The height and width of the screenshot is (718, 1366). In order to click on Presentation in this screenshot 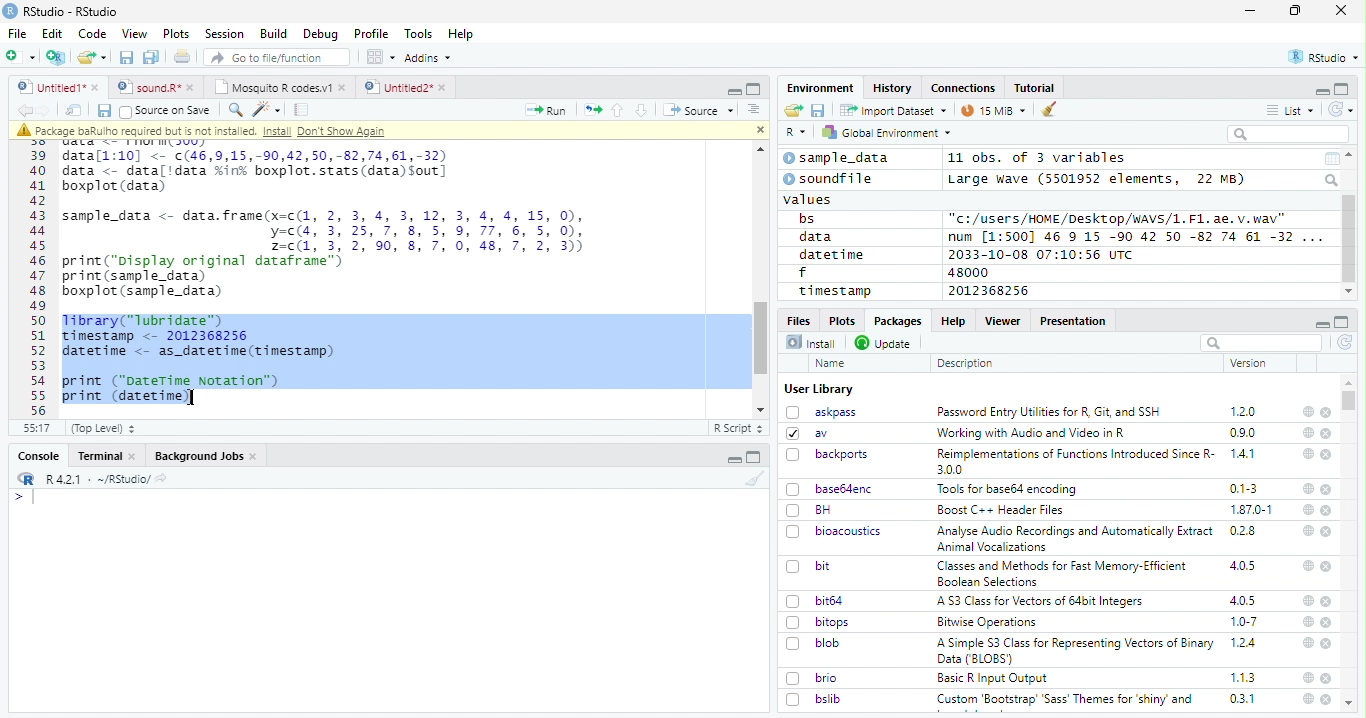, I will do `click(1074, 321)`.